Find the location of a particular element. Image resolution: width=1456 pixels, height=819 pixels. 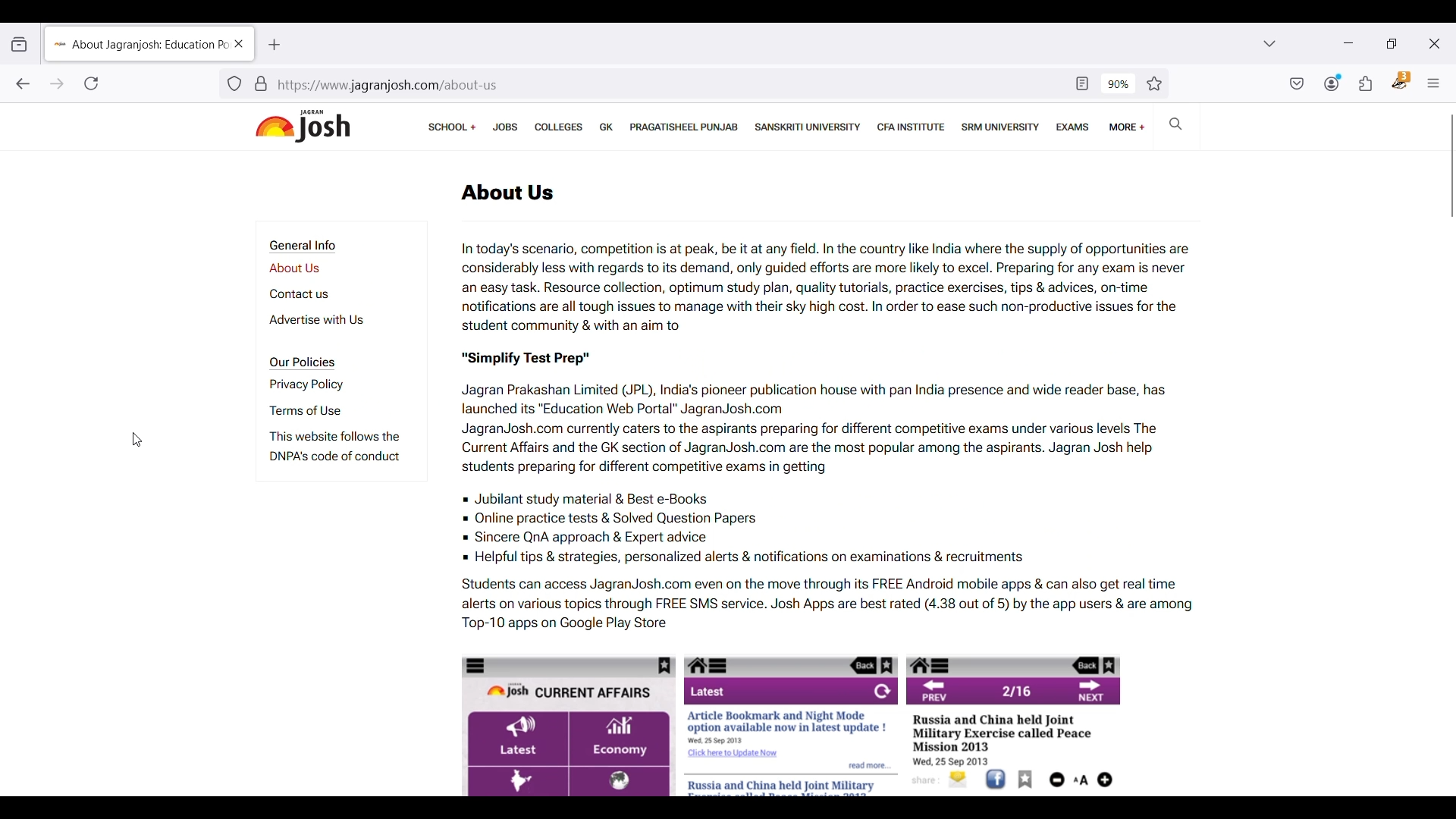

Jobs page is located at coordinates (505, 127).